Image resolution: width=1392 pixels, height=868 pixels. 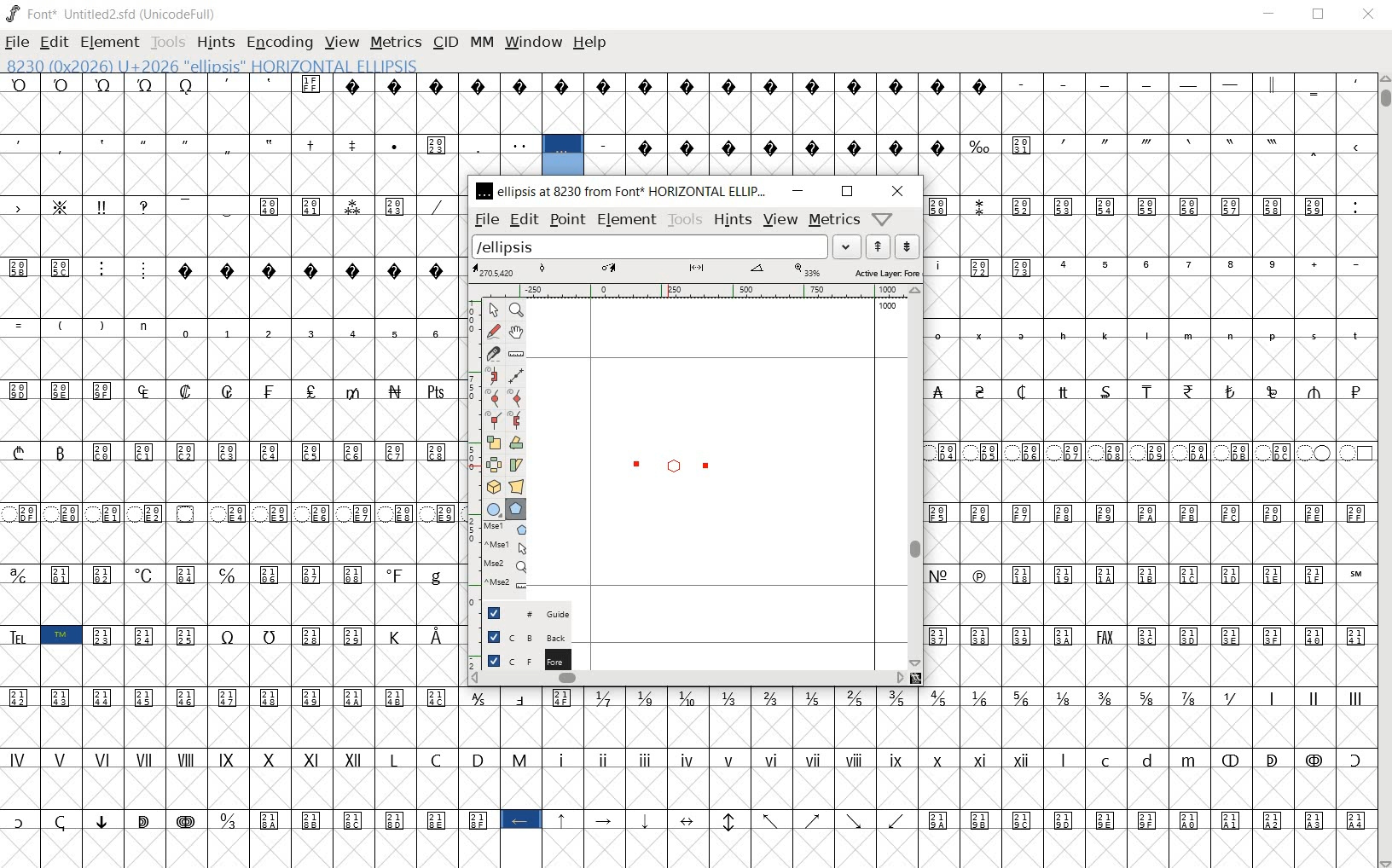 I want to click on guide, so click(x=520, y=612).